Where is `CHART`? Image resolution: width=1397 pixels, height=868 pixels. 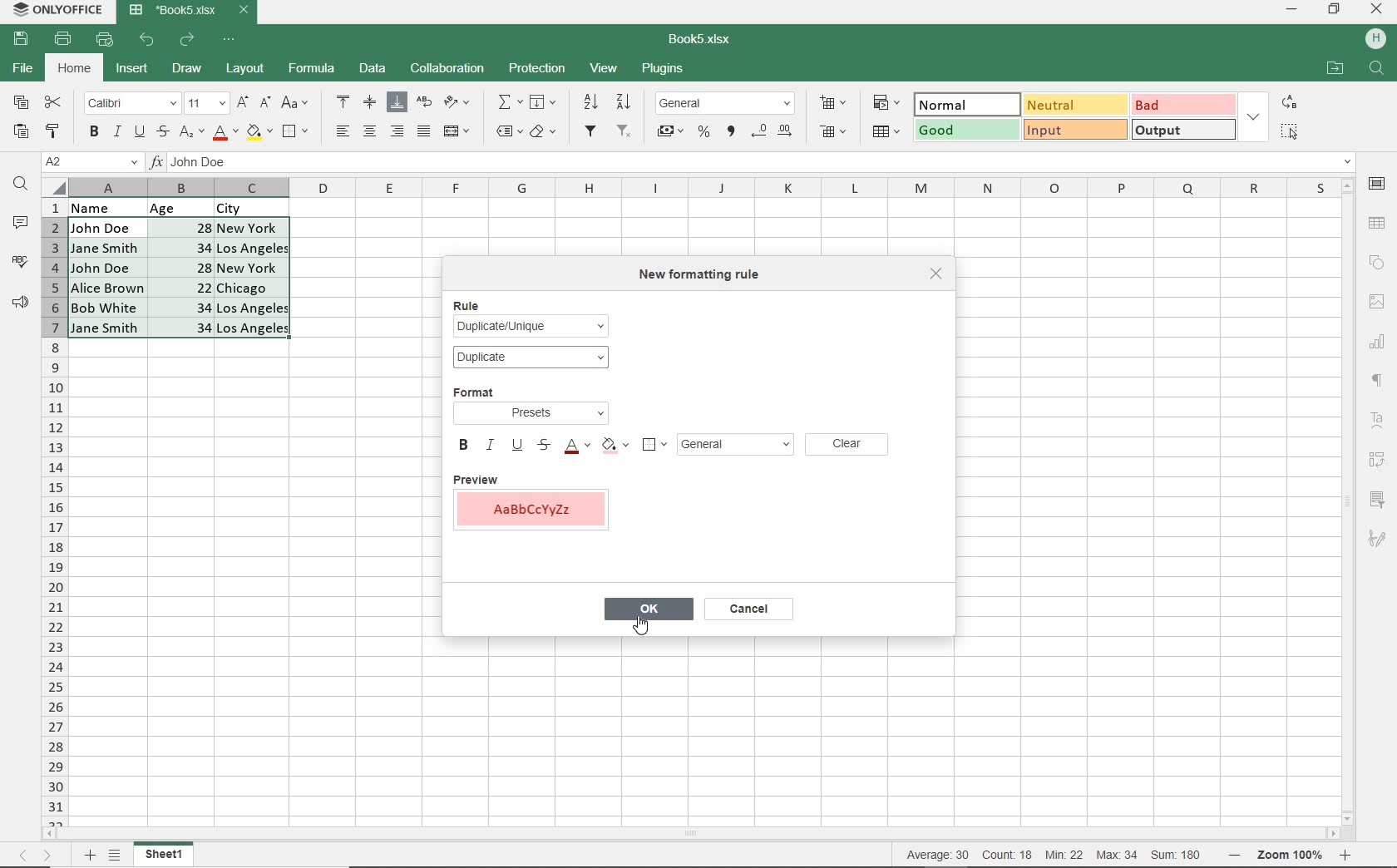
CHART is located at coordinates (1378, 341).